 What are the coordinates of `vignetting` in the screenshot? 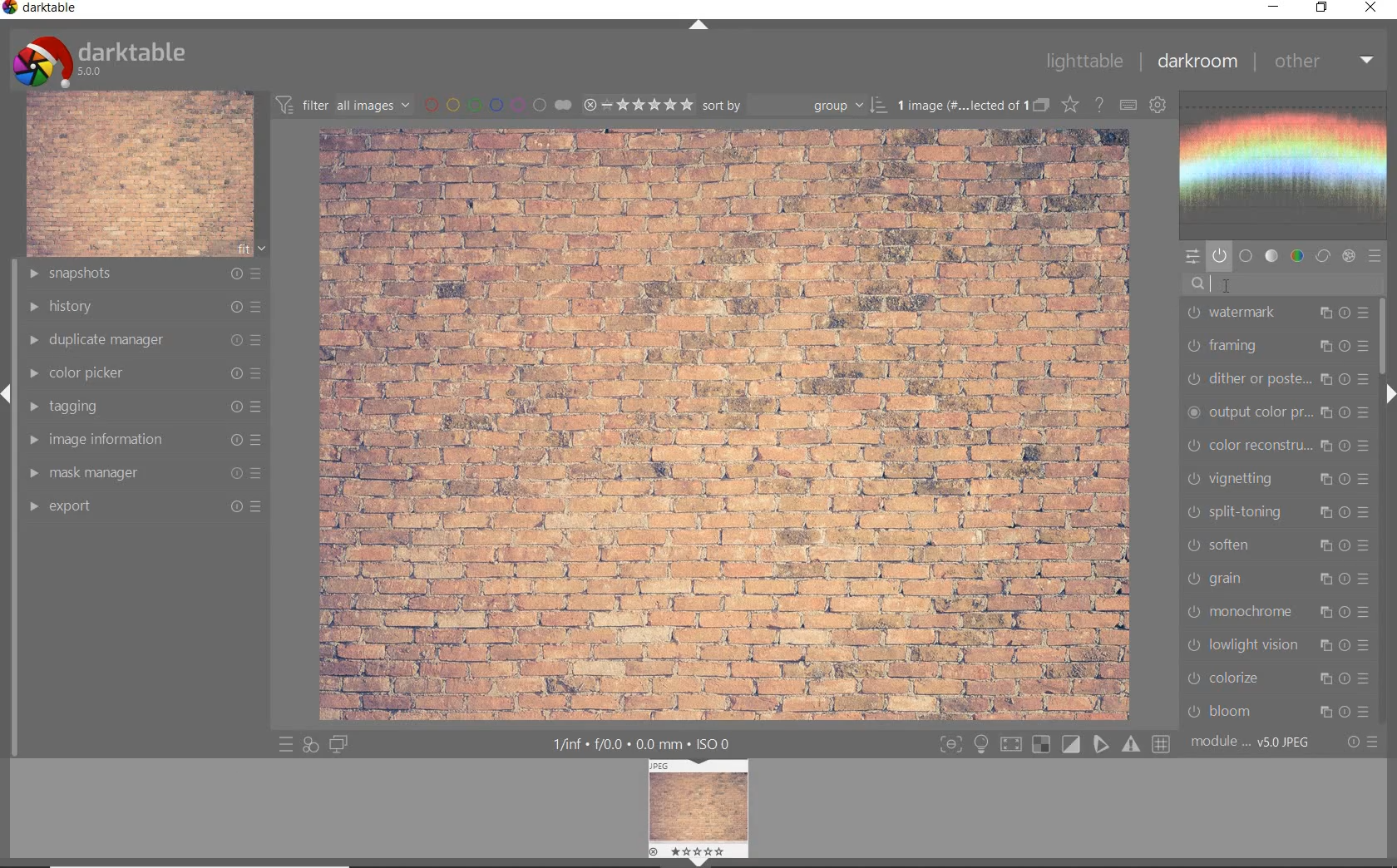 It's located at (1278, 480).